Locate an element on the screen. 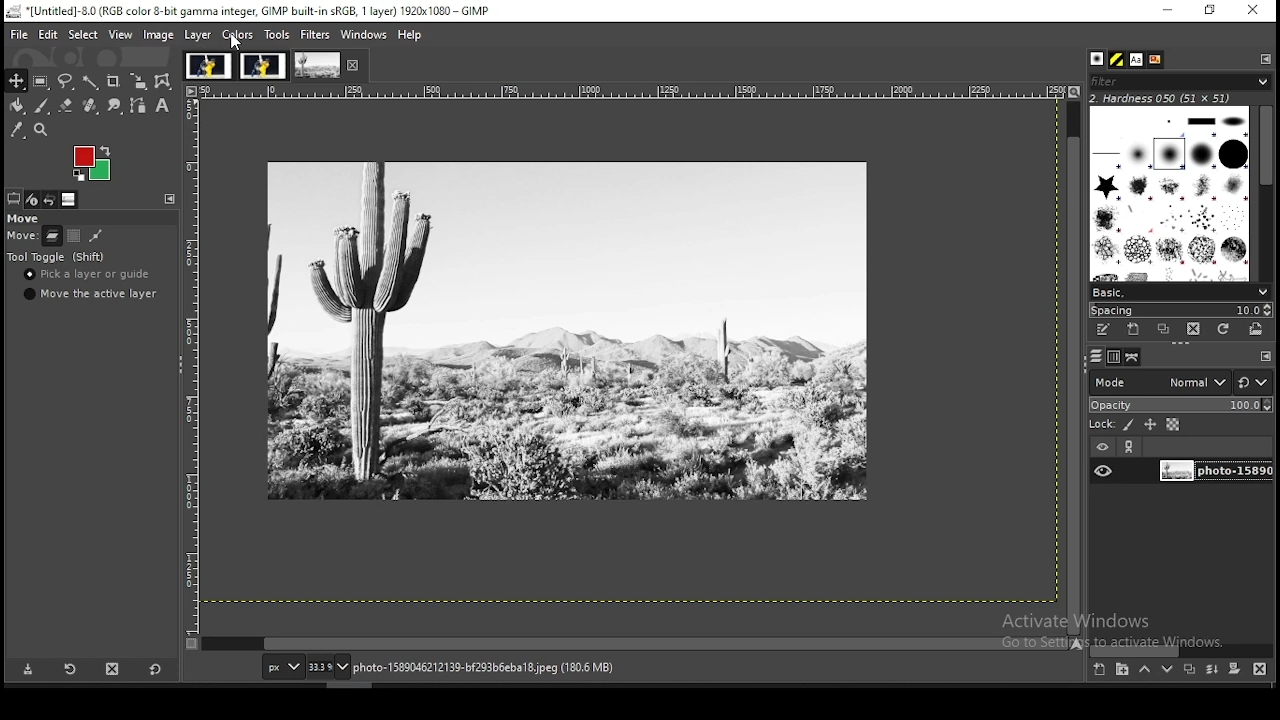  eraser tool is located at coordinates (67, 106).